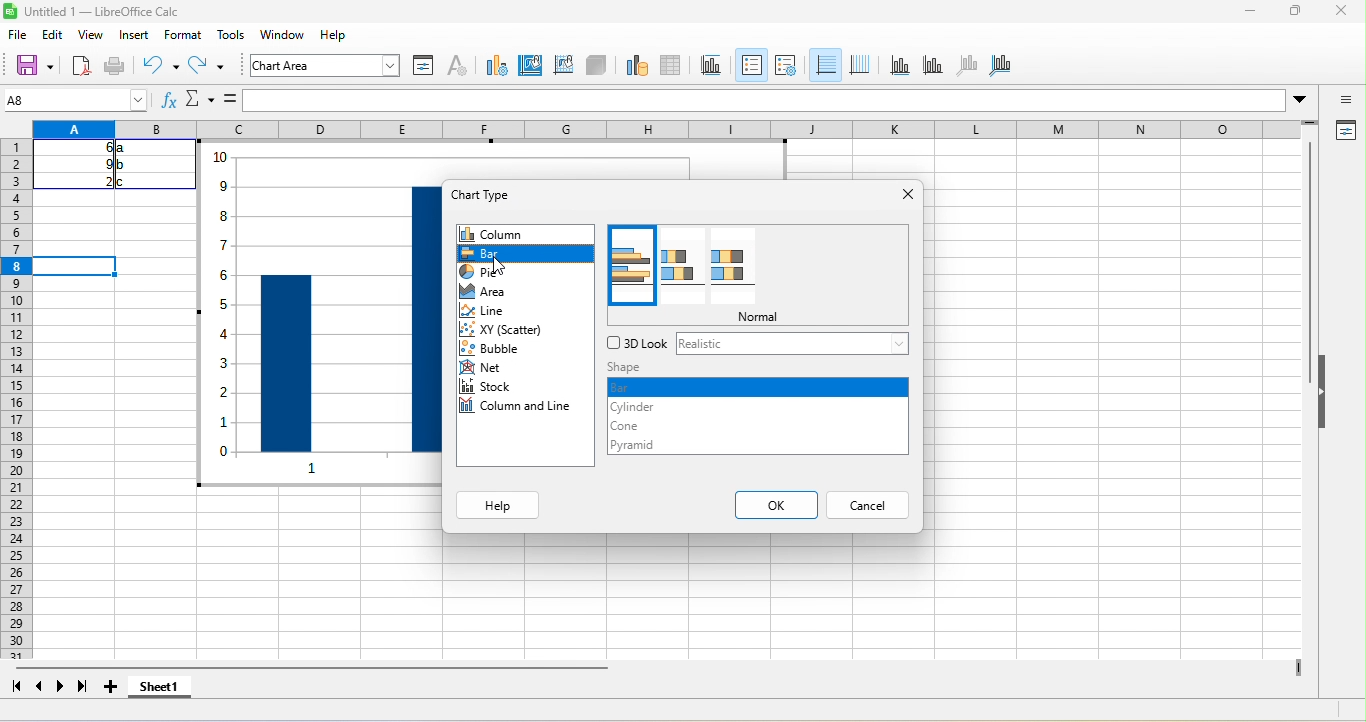  What do you see at coordinates (326, 66) in the screenshot?
I see `chart area` at bounding box center [326, 66].